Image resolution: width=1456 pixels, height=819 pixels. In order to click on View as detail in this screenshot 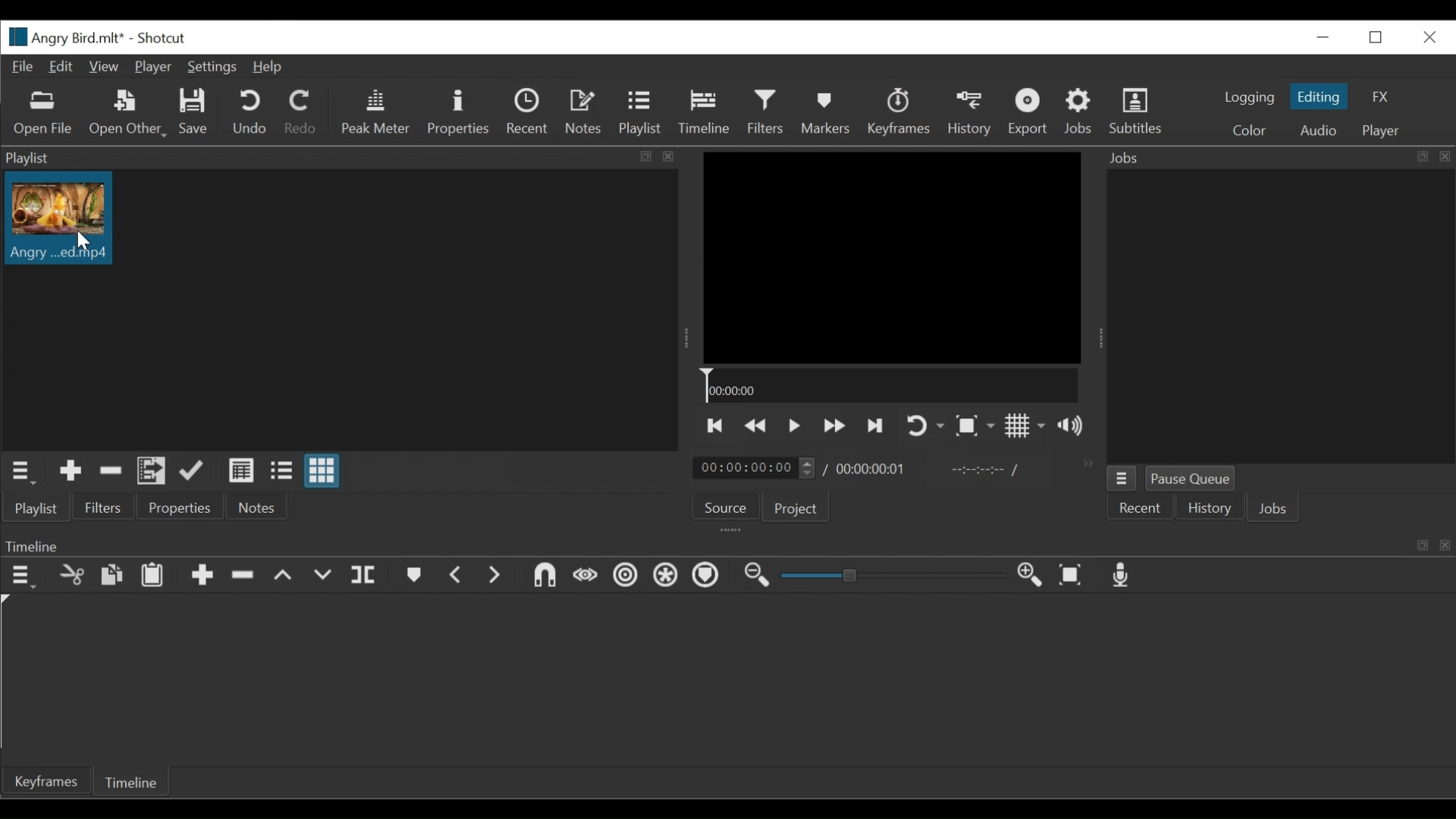, I will do `click(242, 472)`.